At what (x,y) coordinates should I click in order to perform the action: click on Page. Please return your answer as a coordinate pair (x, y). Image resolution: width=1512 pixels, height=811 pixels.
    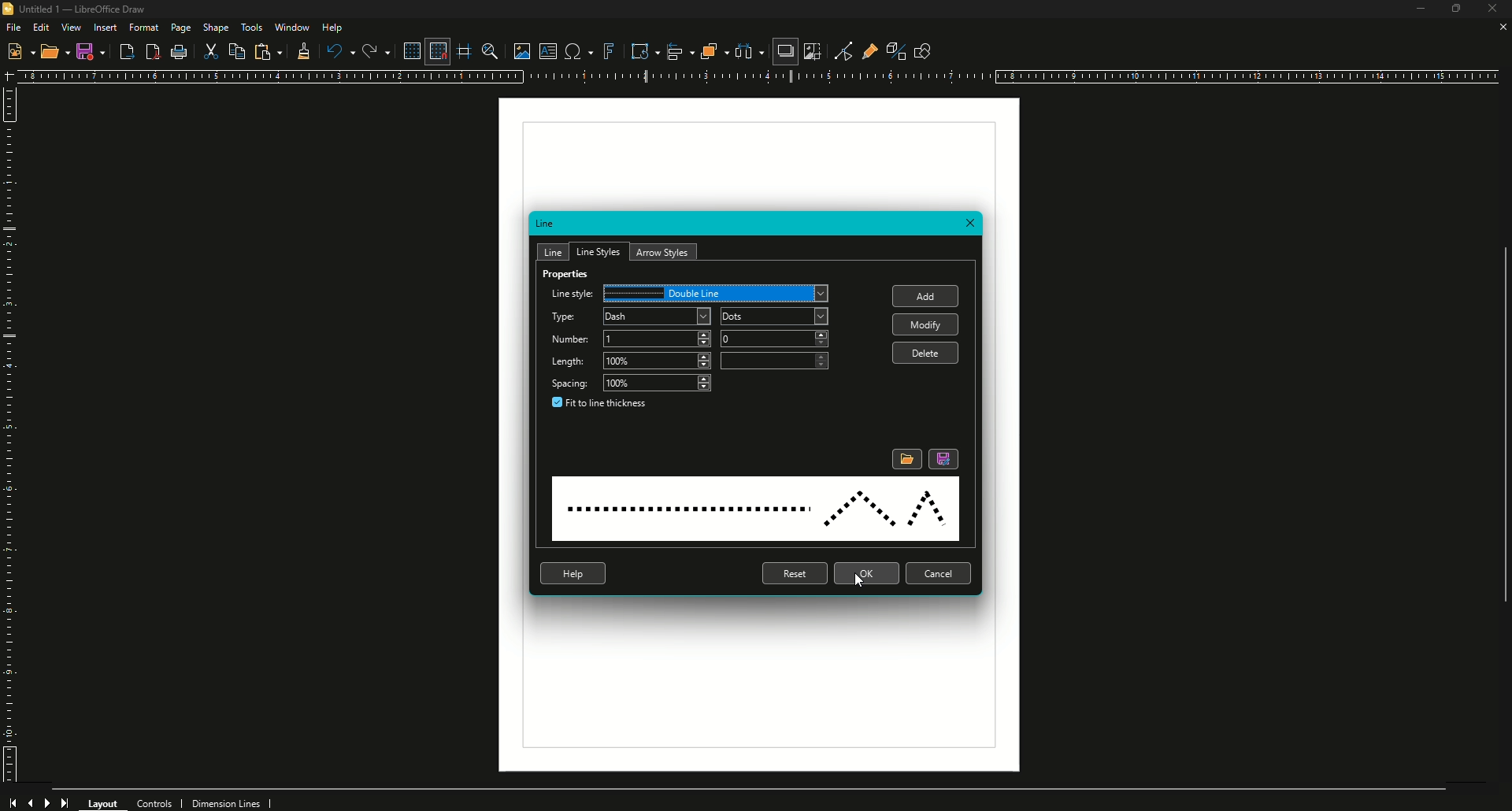
    Looking at the image, I should click on (180, 29).